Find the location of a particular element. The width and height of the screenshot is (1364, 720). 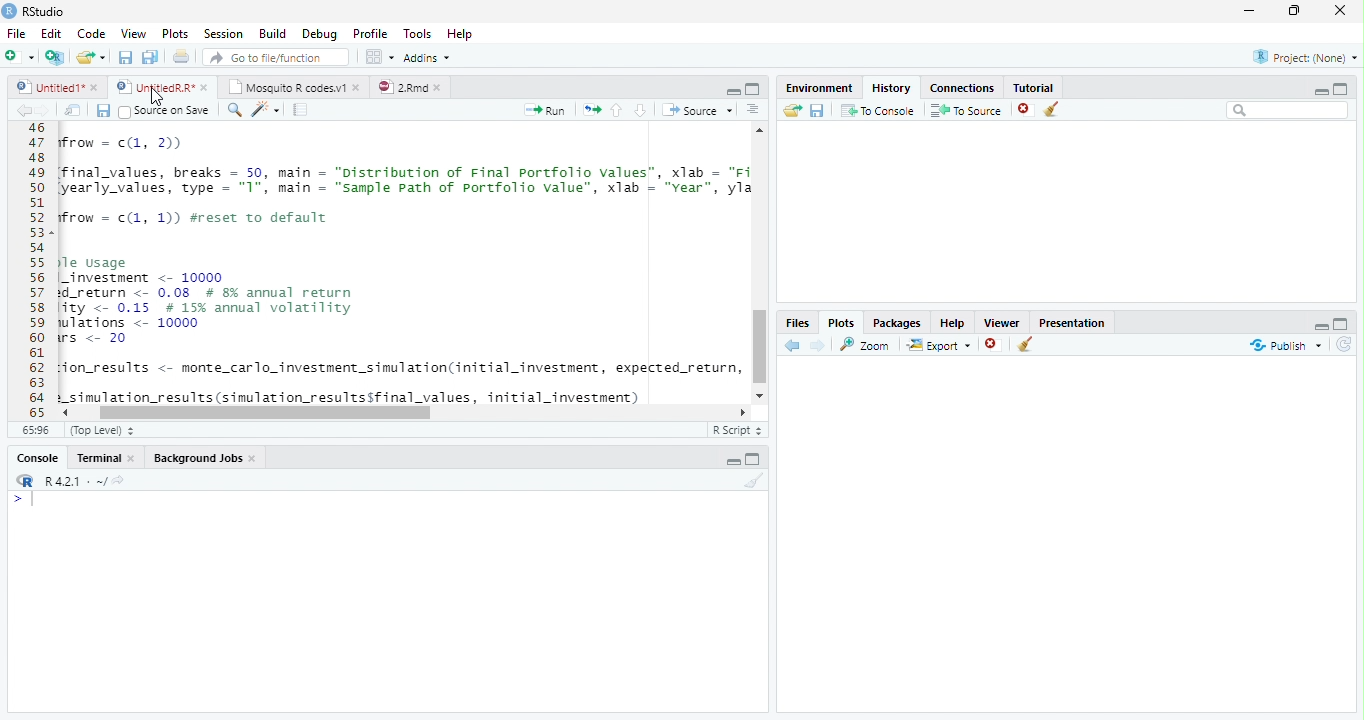

Find and replace is located at coordinates (235, 110).